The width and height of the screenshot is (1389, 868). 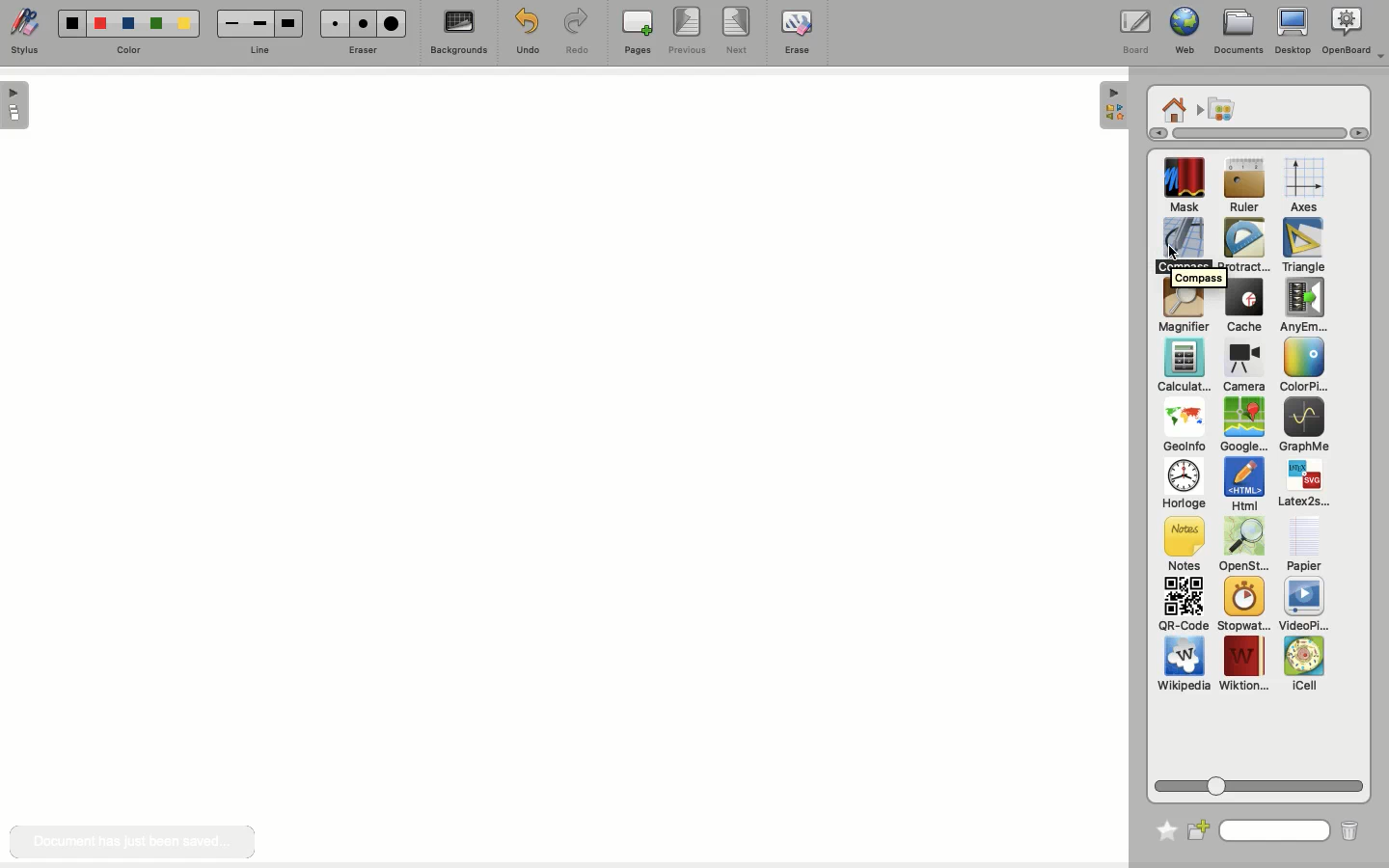 I want to click on Trash, so click(x=1348, y=830).